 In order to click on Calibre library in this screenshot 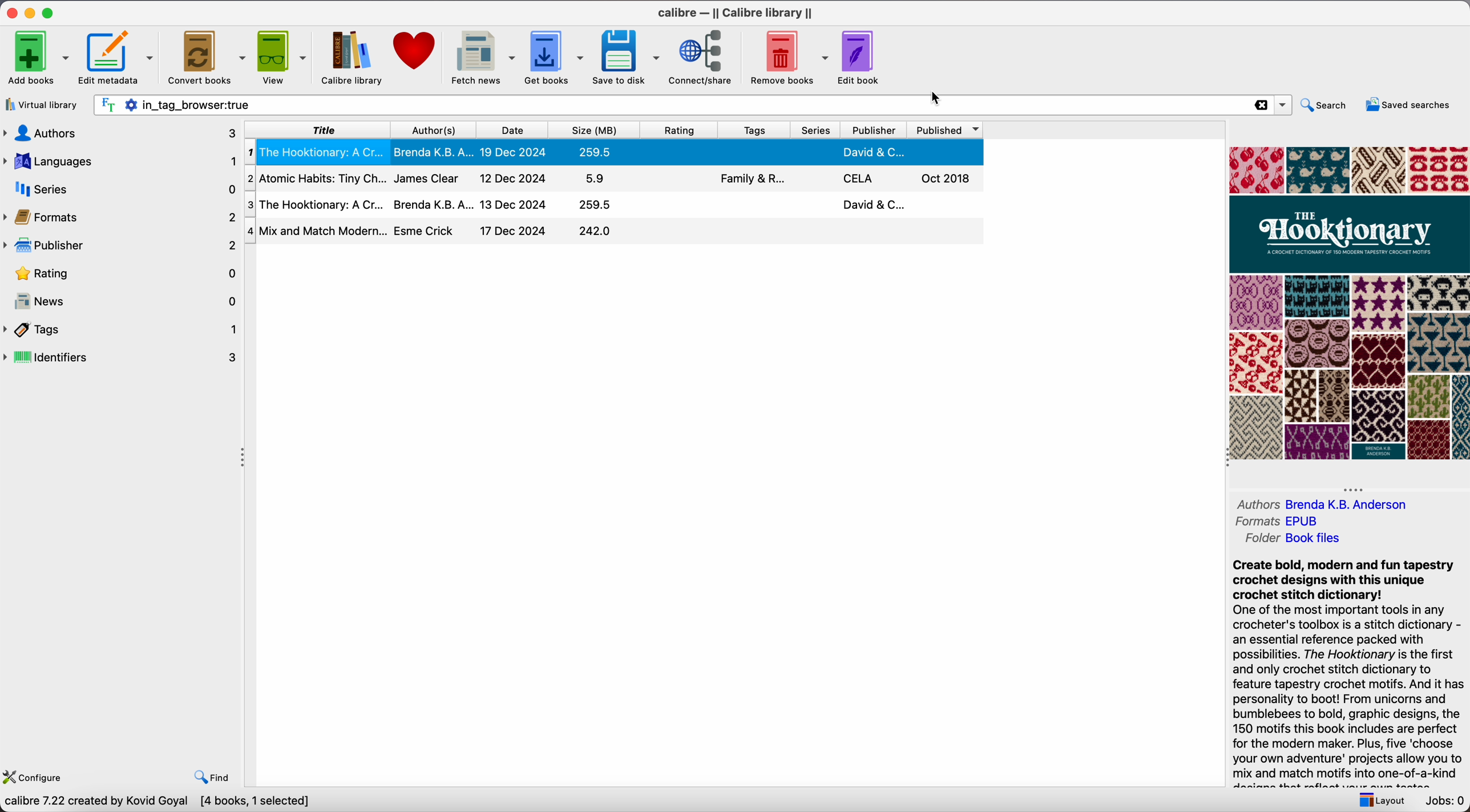, I will do `click(352, 58)`.